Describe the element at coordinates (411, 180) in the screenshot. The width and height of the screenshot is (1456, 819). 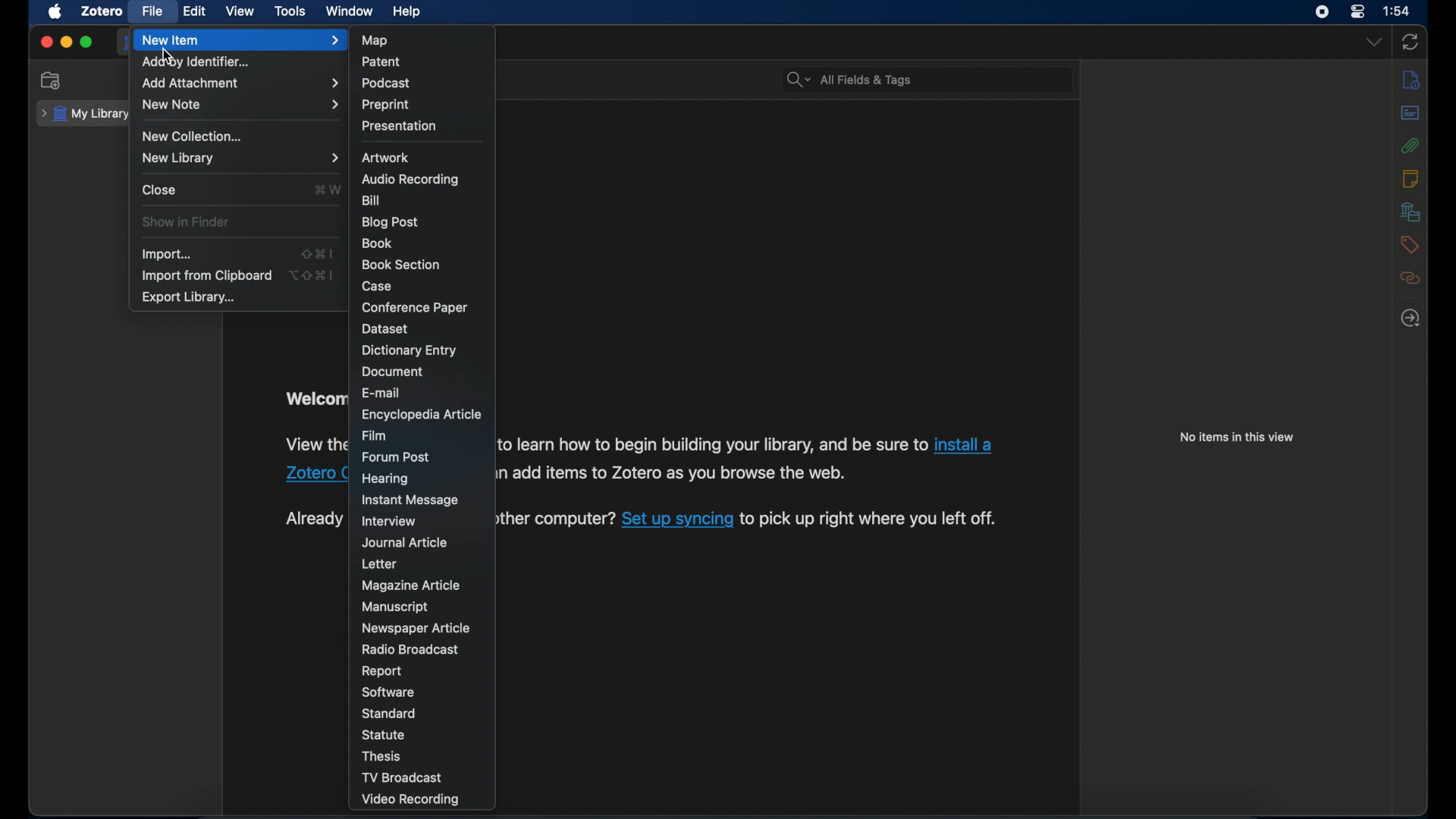
I see `audio recording` at that location.